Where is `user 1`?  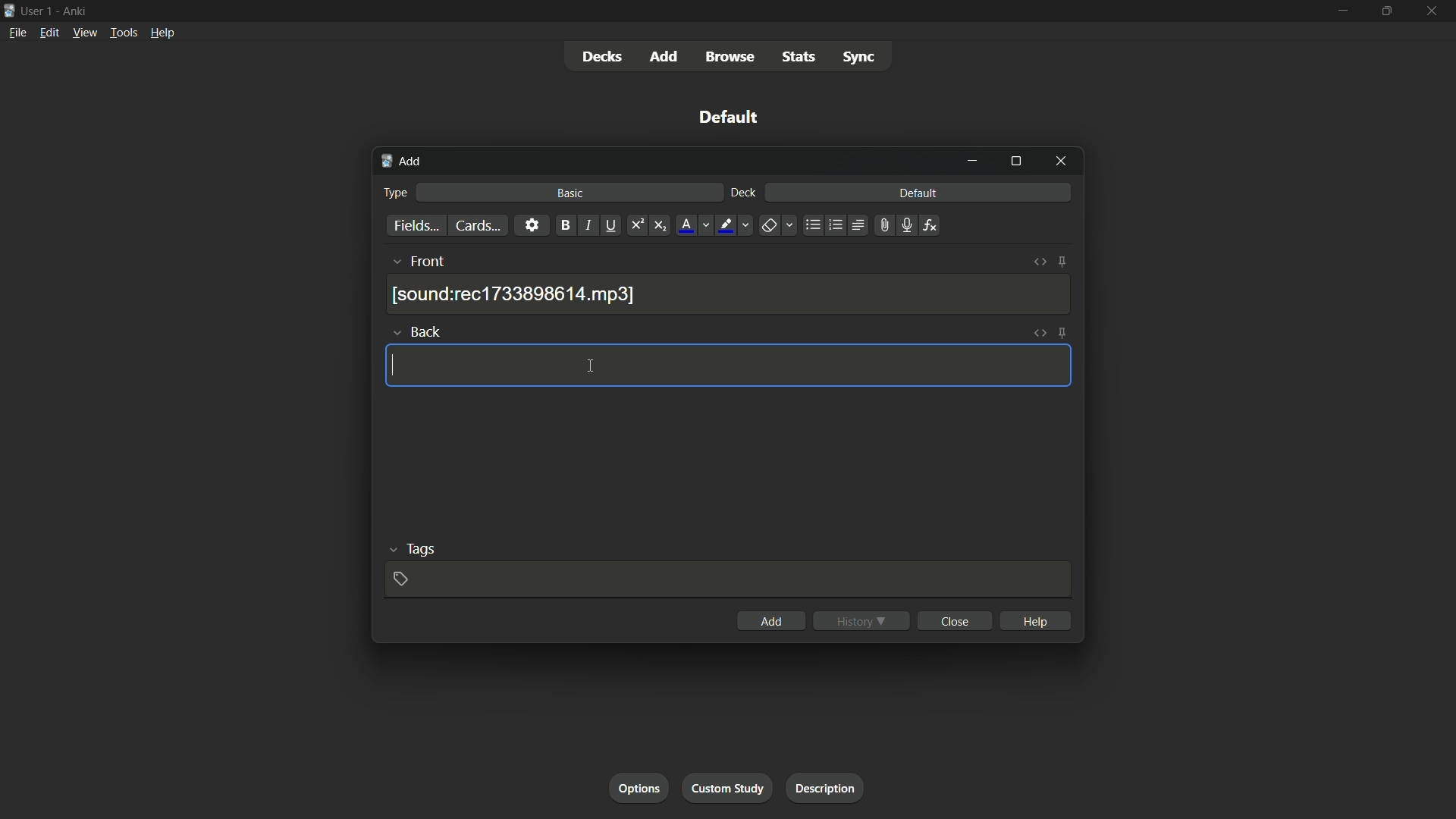 user 1 is located at coordinates (38, 10).